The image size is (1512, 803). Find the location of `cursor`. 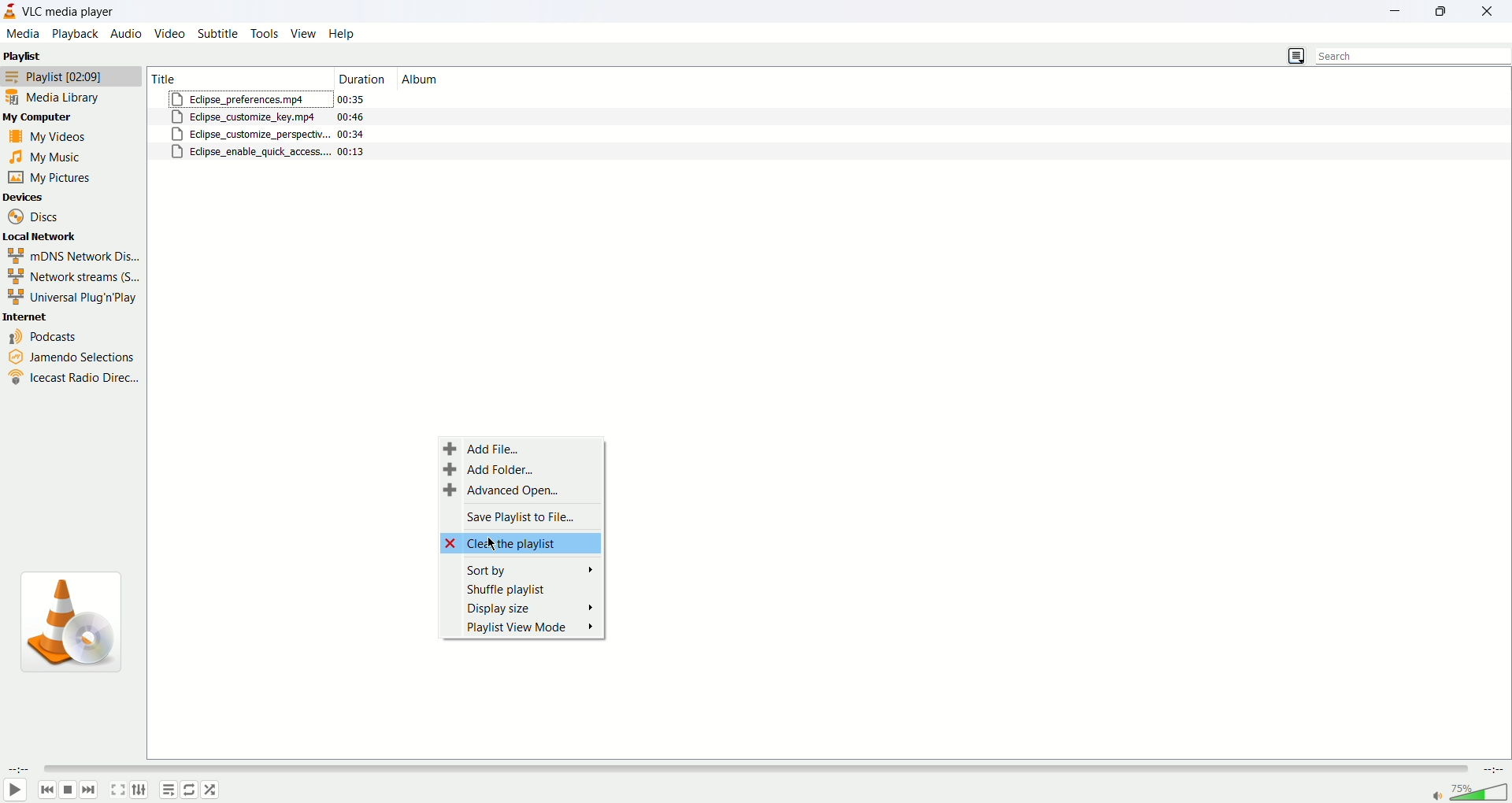

cursor is located at coordinates (493, 545).